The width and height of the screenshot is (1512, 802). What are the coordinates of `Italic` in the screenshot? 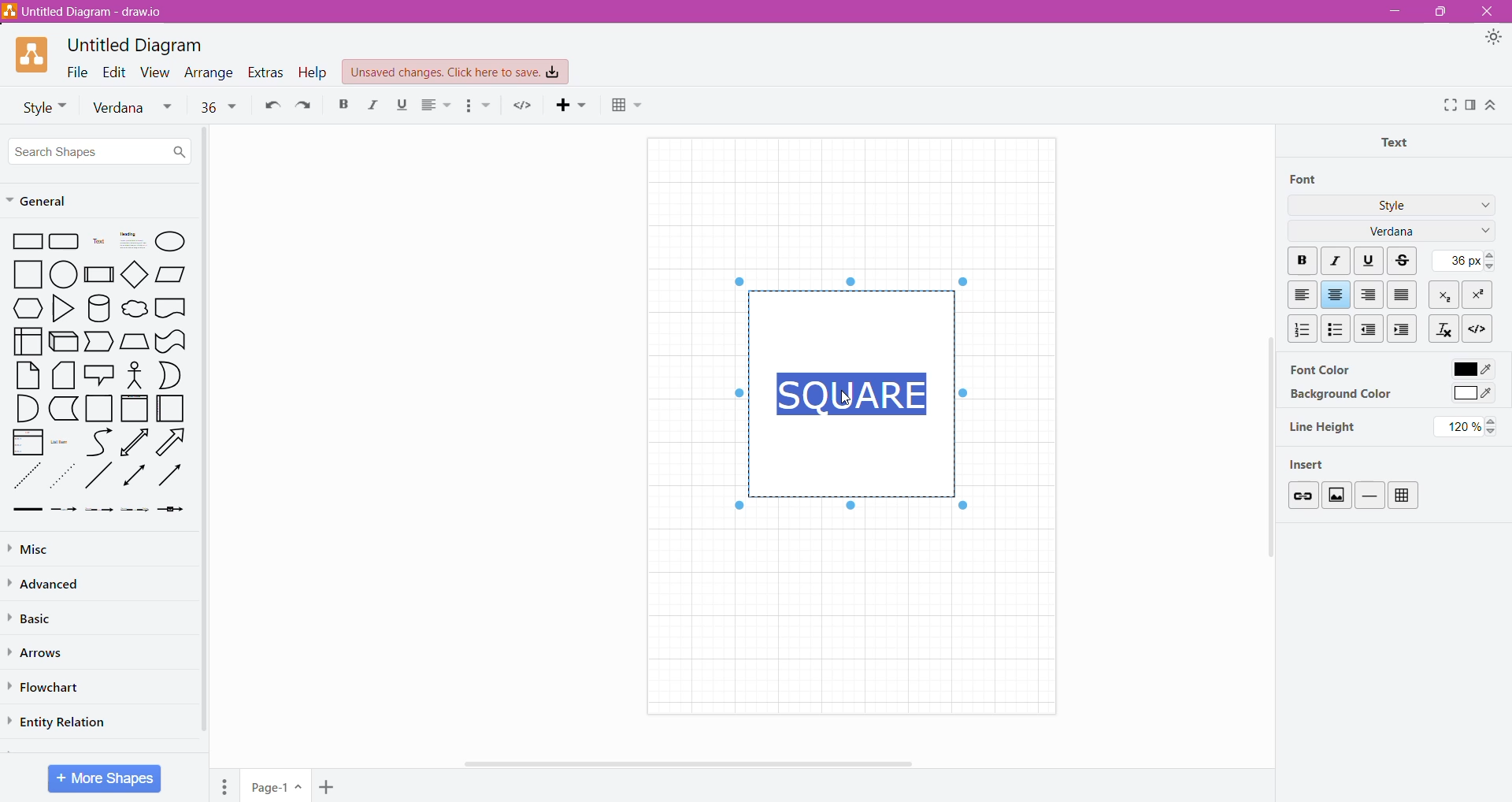 It's located at (1337, 262).